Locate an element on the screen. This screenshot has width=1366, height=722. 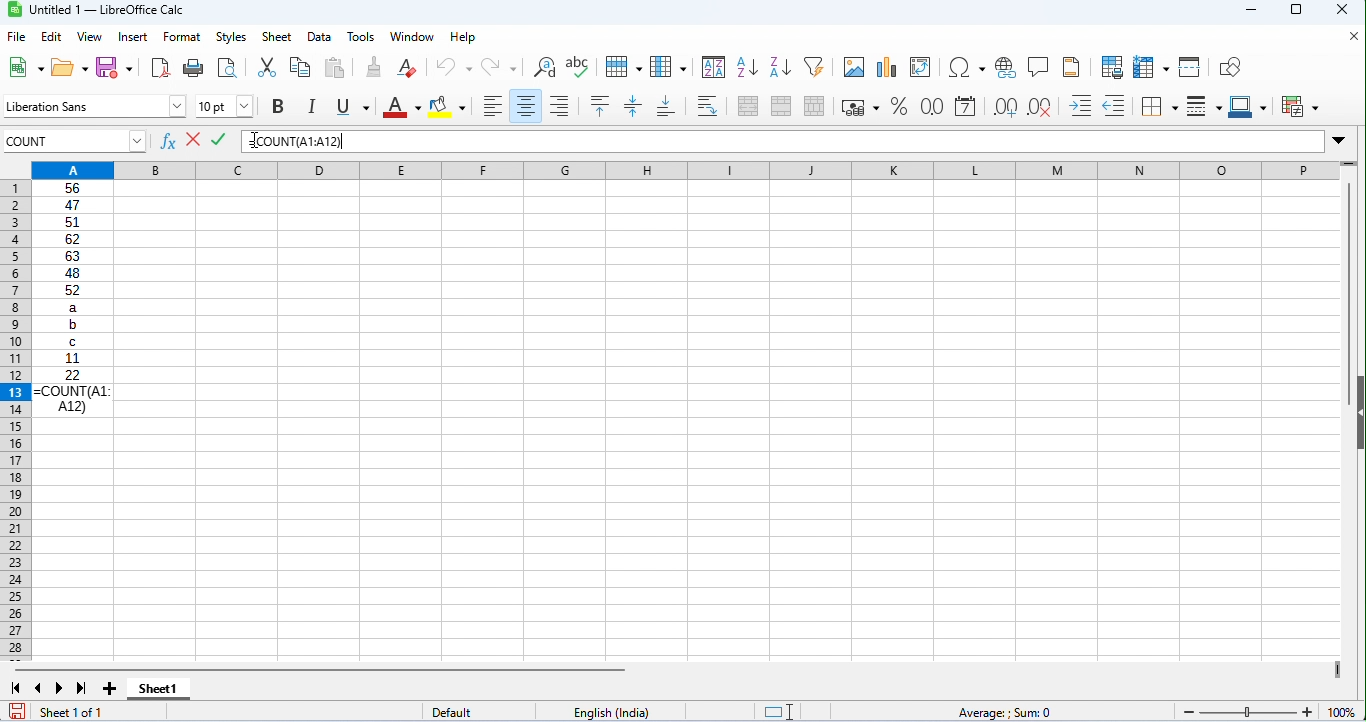
new is located at coordinates (23, 66).